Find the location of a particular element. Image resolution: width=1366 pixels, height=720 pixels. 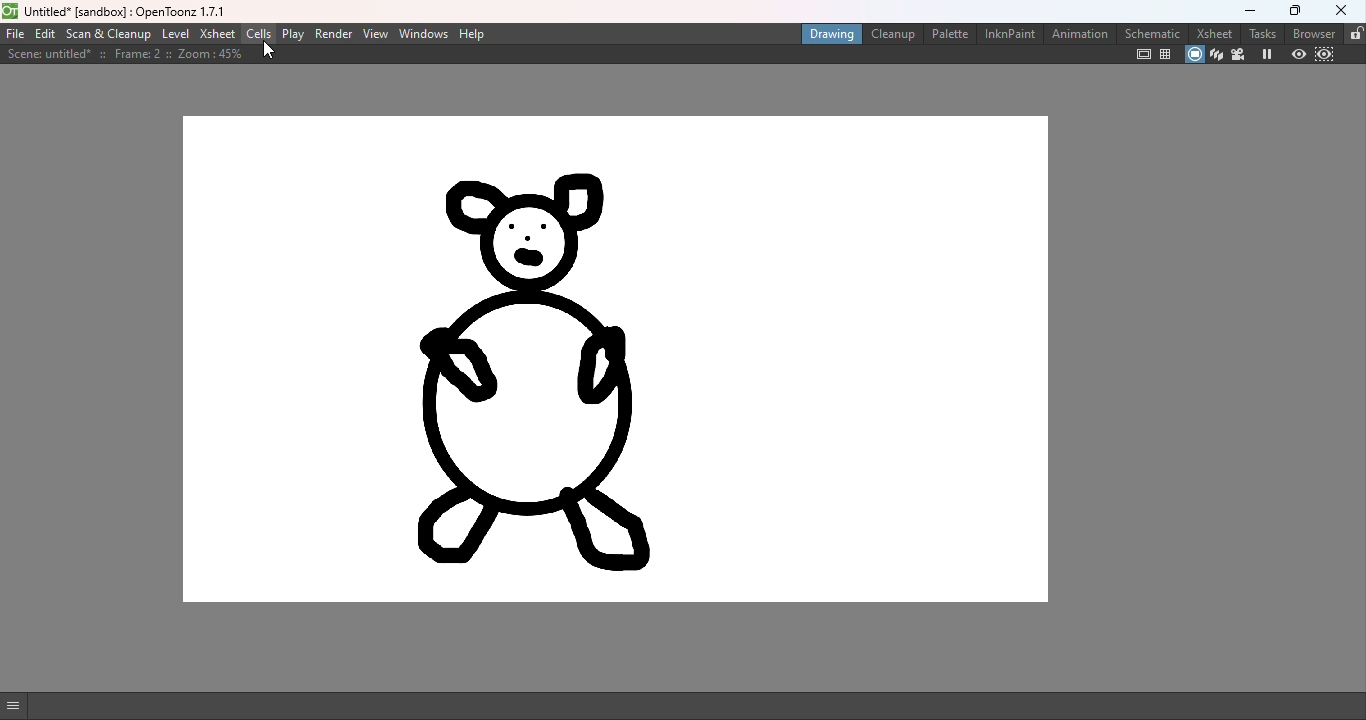

Field guide is located at coordinates (1168, 54).